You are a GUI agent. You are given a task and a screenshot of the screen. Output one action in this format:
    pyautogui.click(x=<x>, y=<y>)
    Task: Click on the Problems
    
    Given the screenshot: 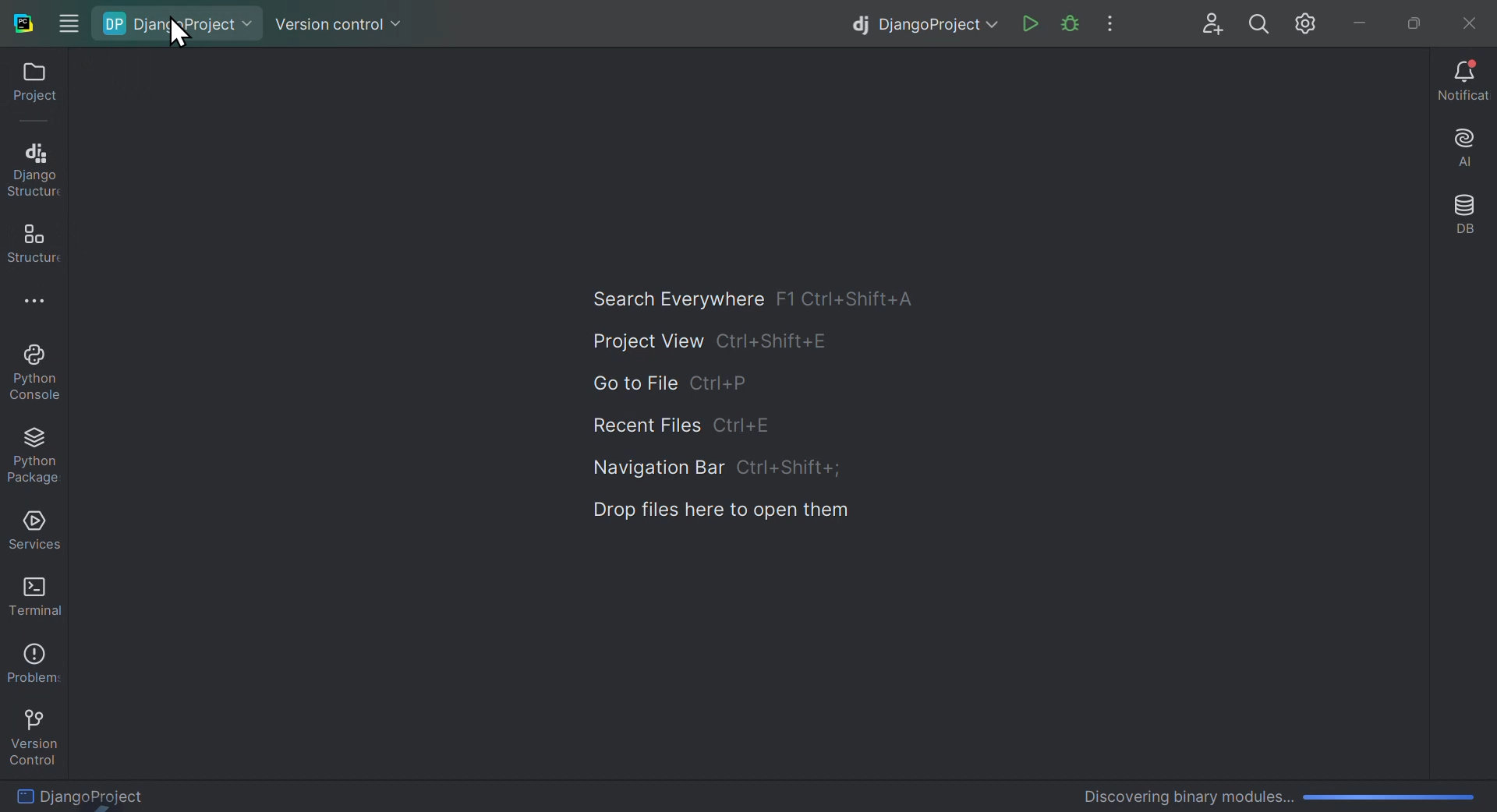 What is the action you would take?
    pyautogui.click(x=31, y=659)
    